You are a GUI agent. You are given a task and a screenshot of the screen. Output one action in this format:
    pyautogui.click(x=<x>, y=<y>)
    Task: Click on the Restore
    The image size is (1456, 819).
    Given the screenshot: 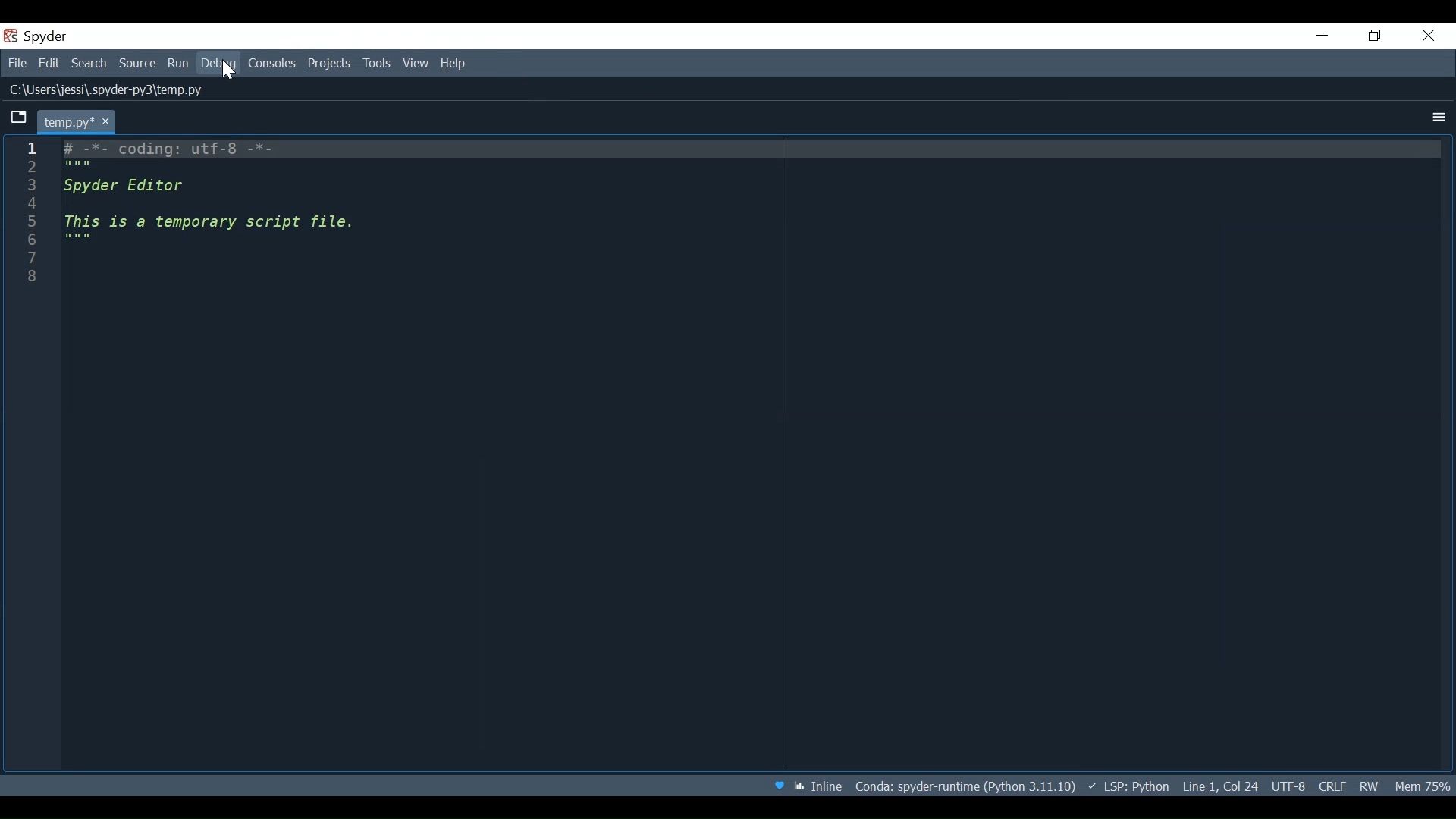 What is the action you would take?
    pyautogui.click(x=1375, y=36)
    